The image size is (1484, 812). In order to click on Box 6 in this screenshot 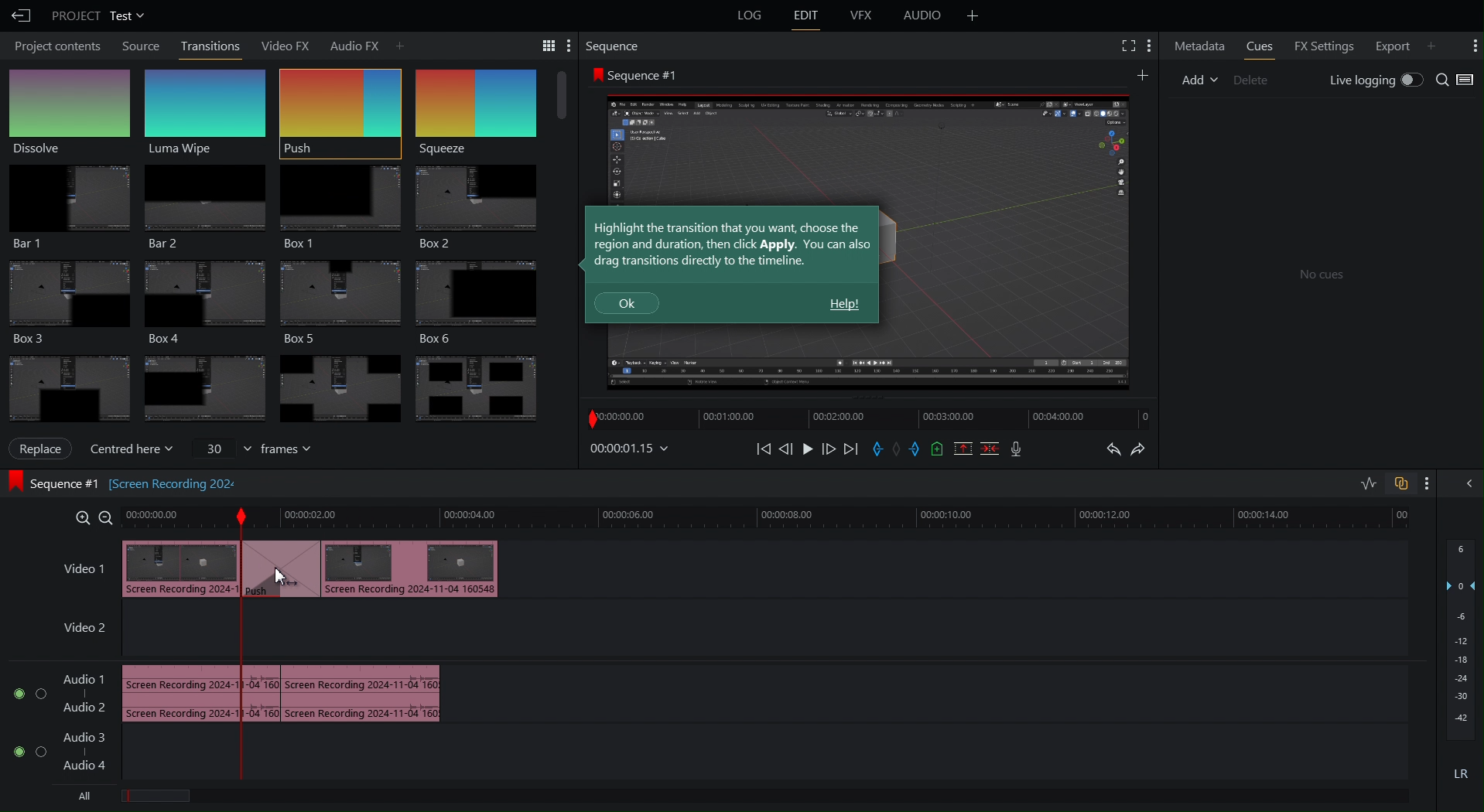, I will do `click(484, 302)`.